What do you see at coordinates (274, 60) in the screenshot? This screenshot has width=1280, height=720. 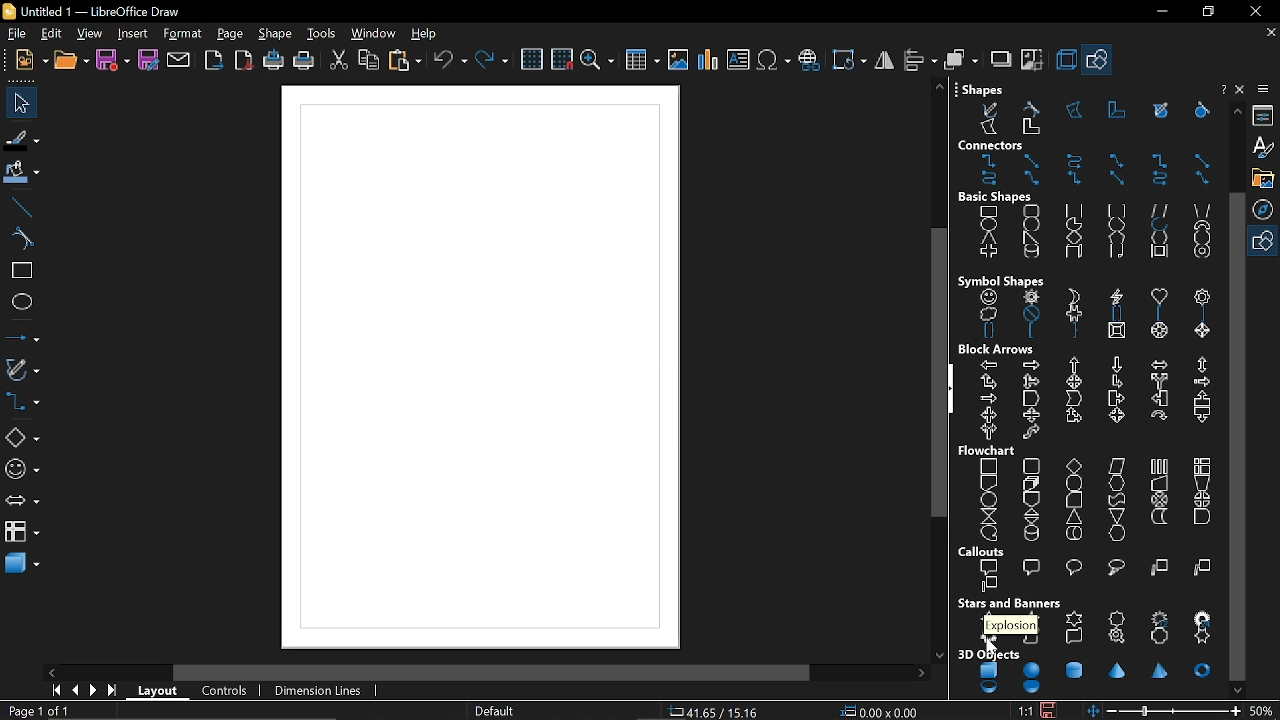 I see `print directly` at bounding box center [274, 60].